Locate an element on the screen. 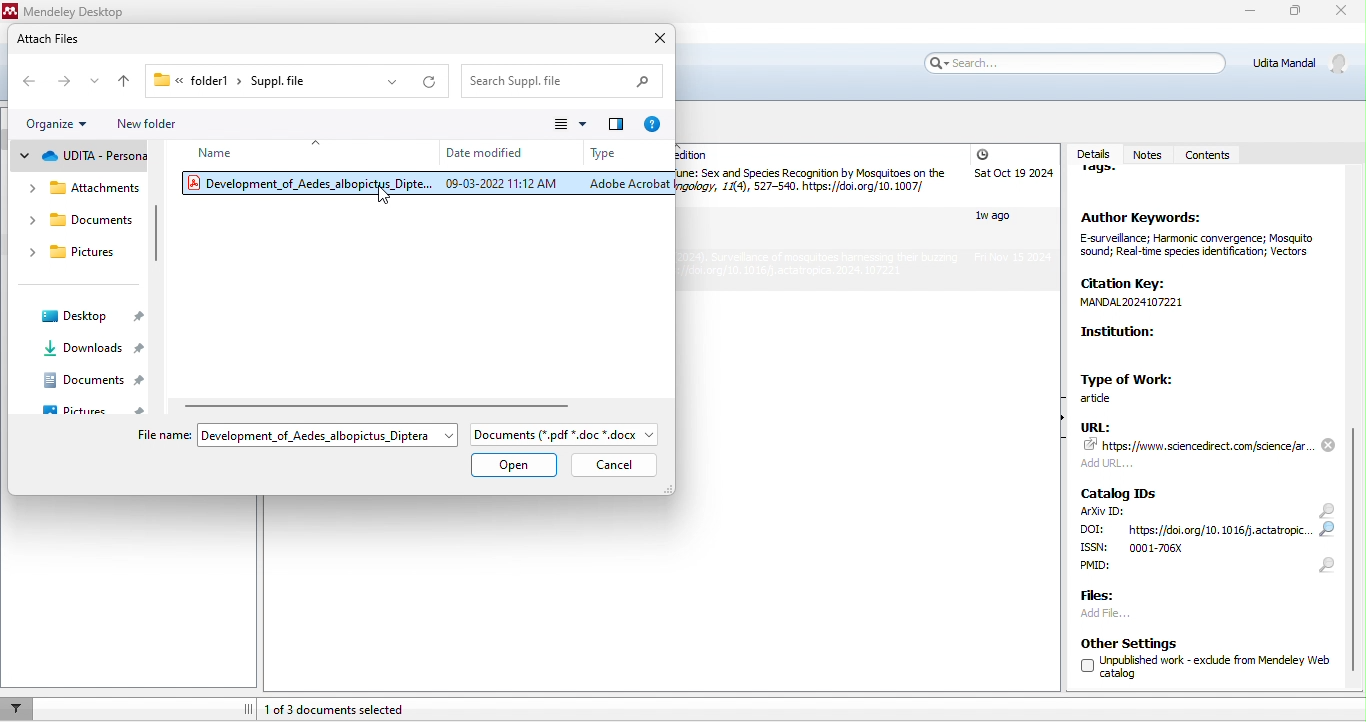 The width and height of the screenshot is (1366, 722). type is located at coordinates (603, 153).